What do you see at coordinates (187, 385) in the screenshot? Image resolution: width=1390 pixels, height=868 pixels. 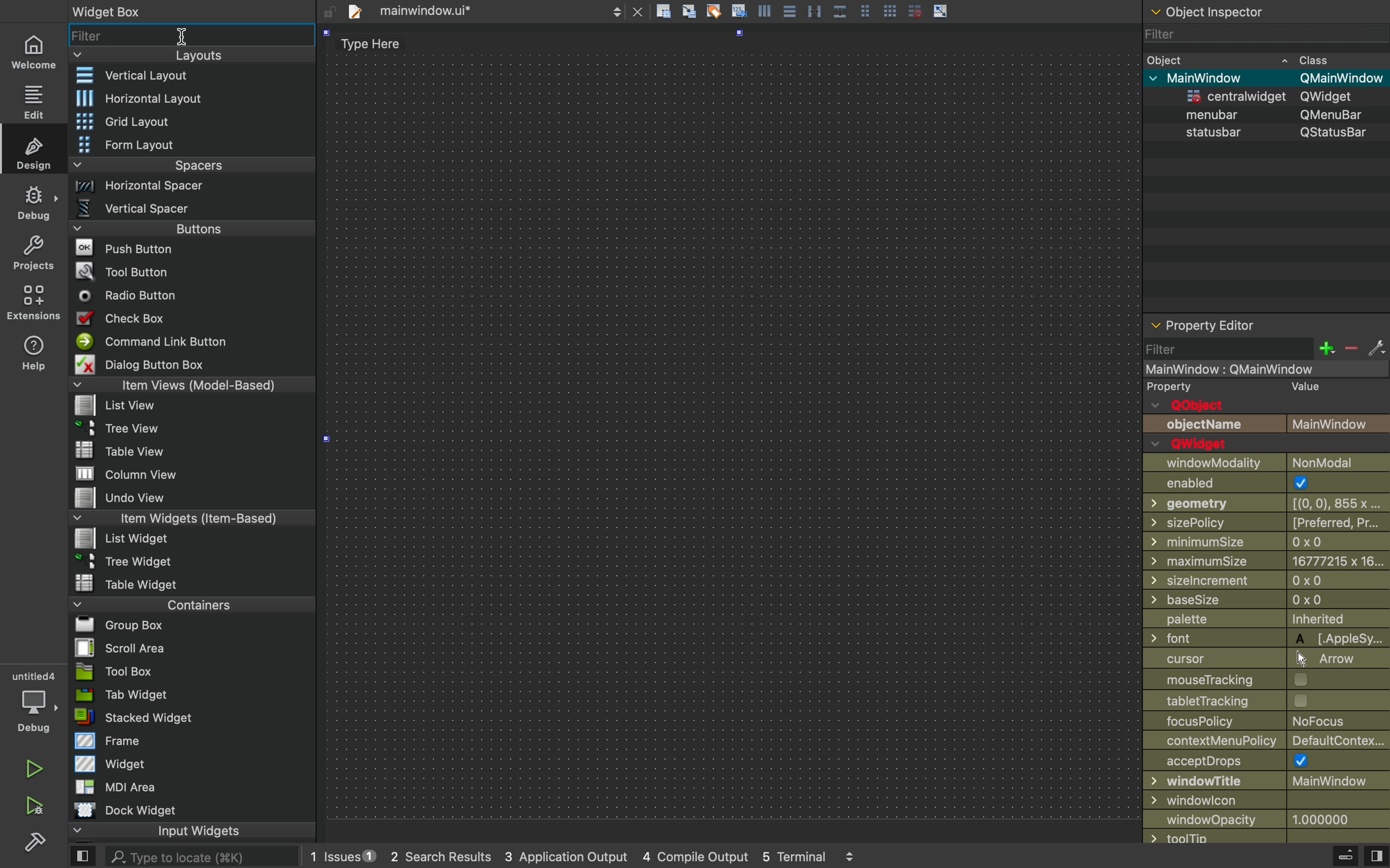 I see `item views` at bounding box center [187, 385].